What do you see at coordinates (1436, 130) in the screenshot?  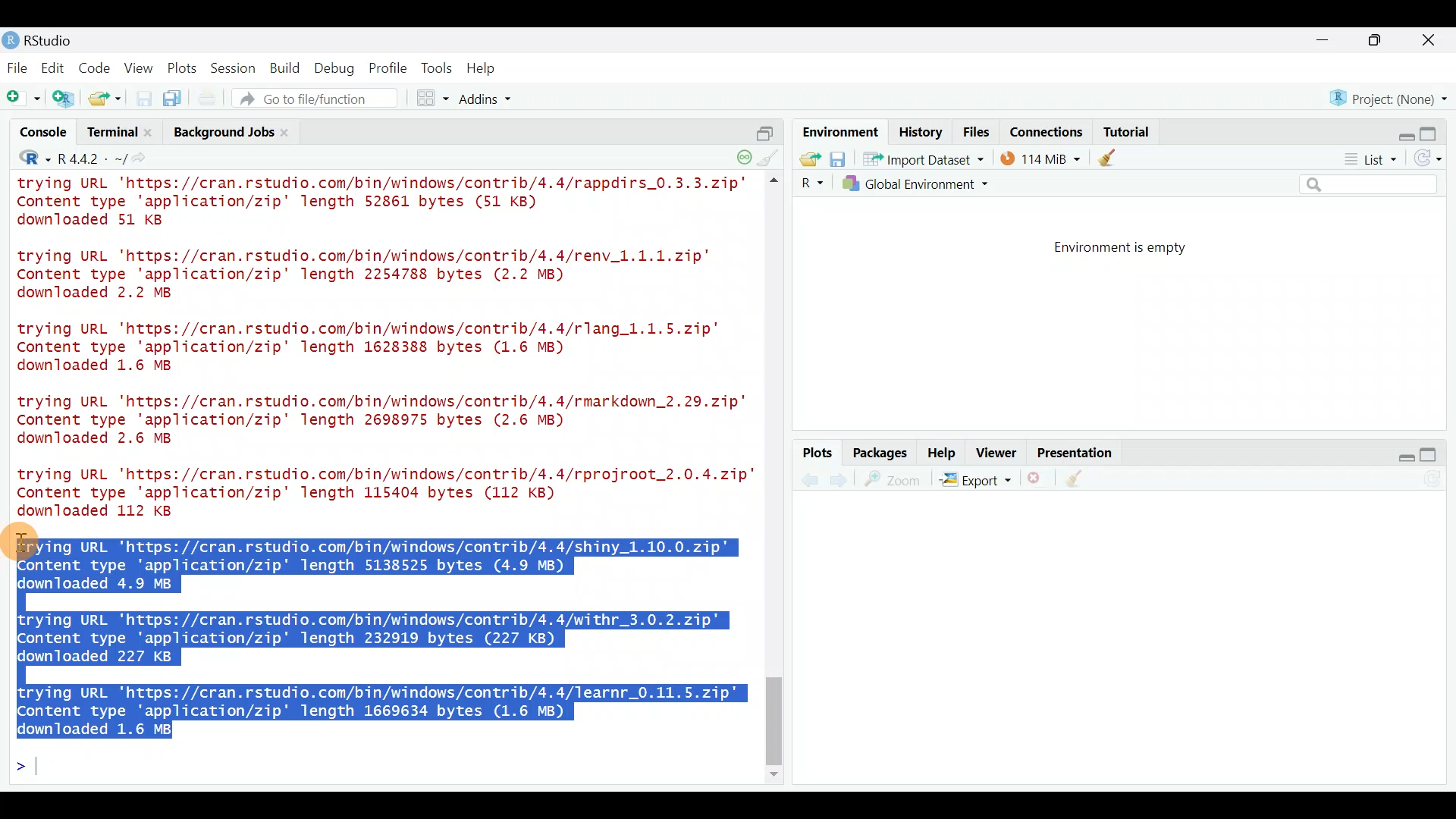 I see `Maximize` at bounding box center [1436, 130].